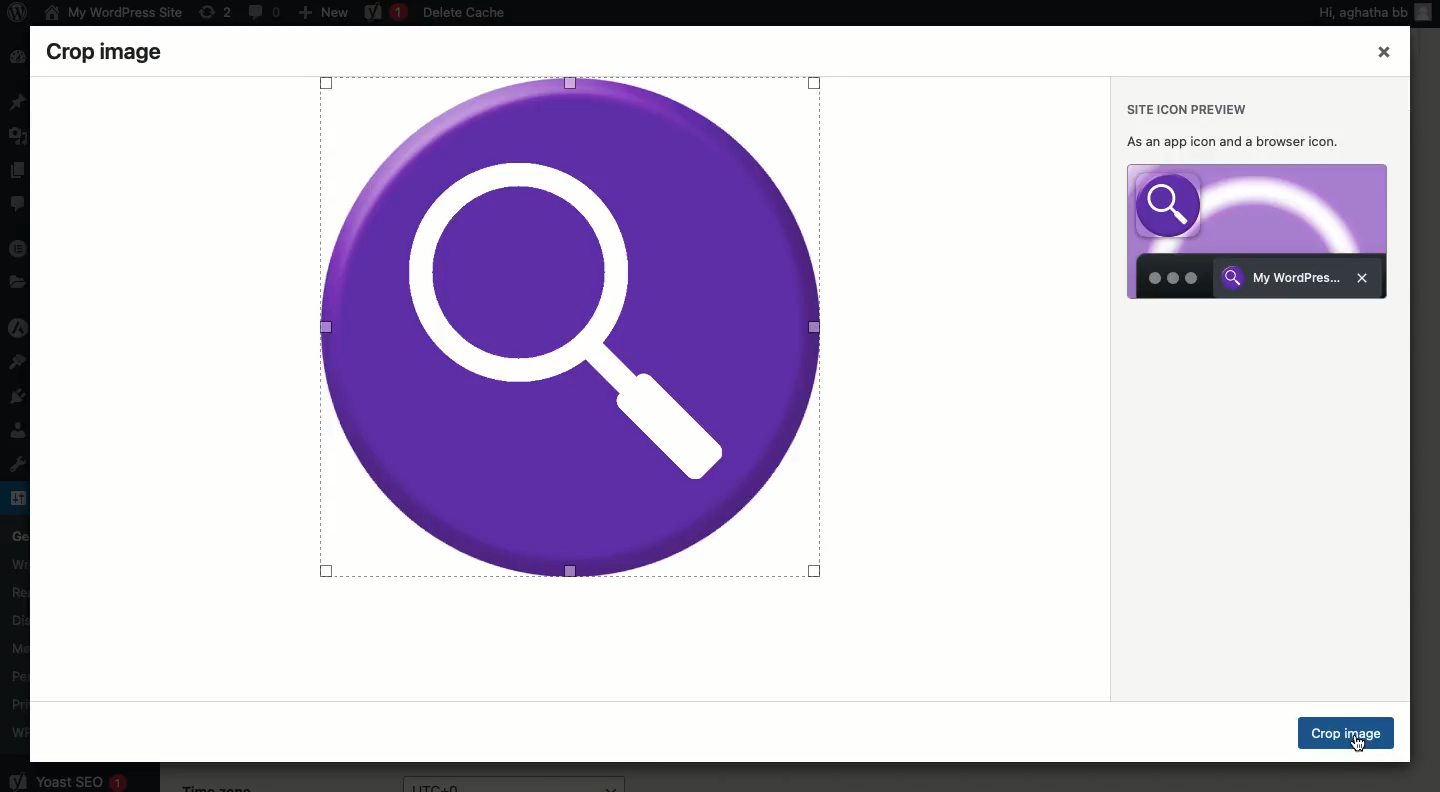  Describe the element at coordinates (466, 14) in the screenshot. I see `Delete cache` at that location.